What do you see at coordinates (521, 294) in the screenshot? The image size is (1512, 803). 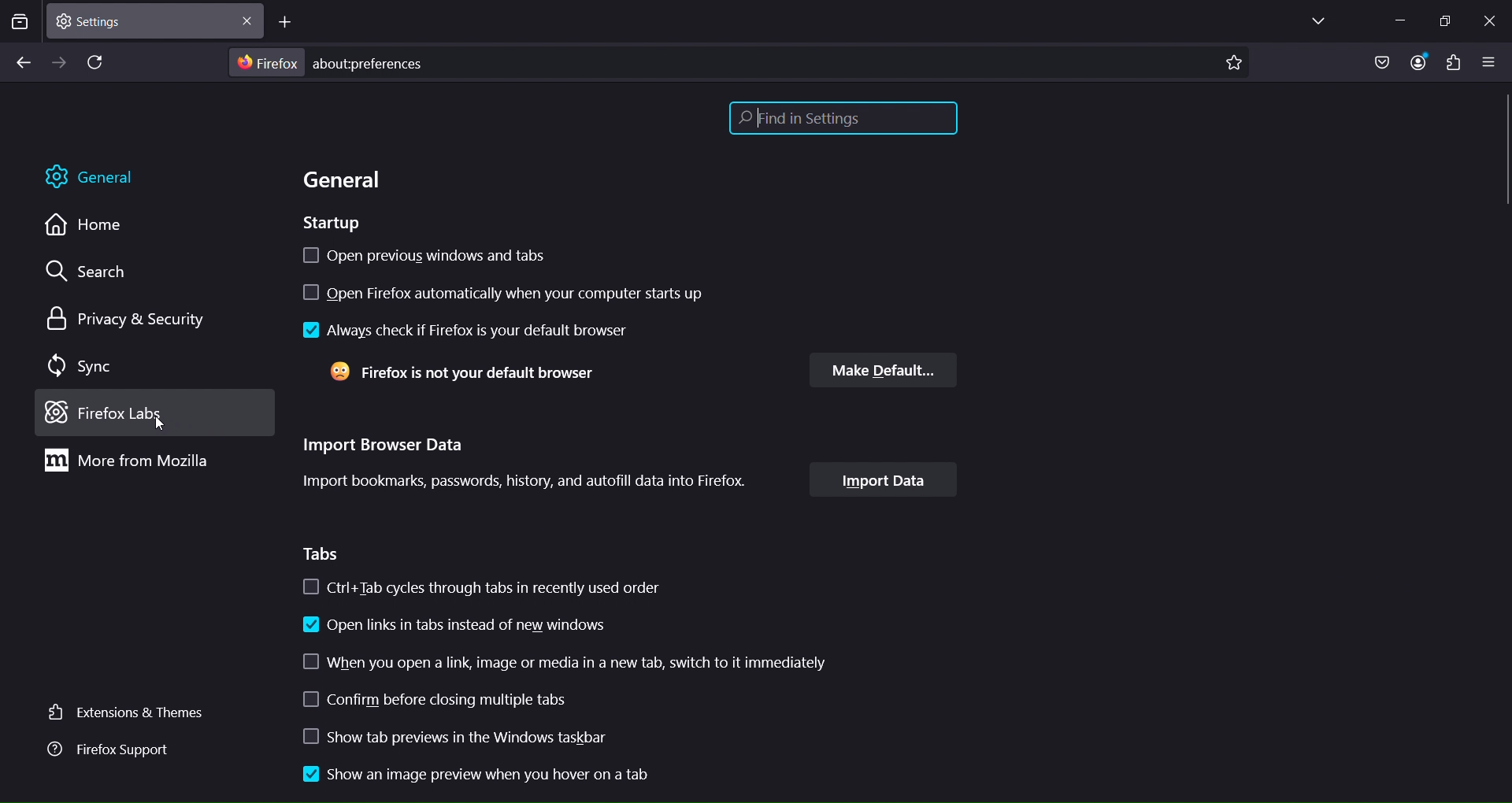 I see `open firefox automatically when computer starts up` at bounding box center [521, 294].